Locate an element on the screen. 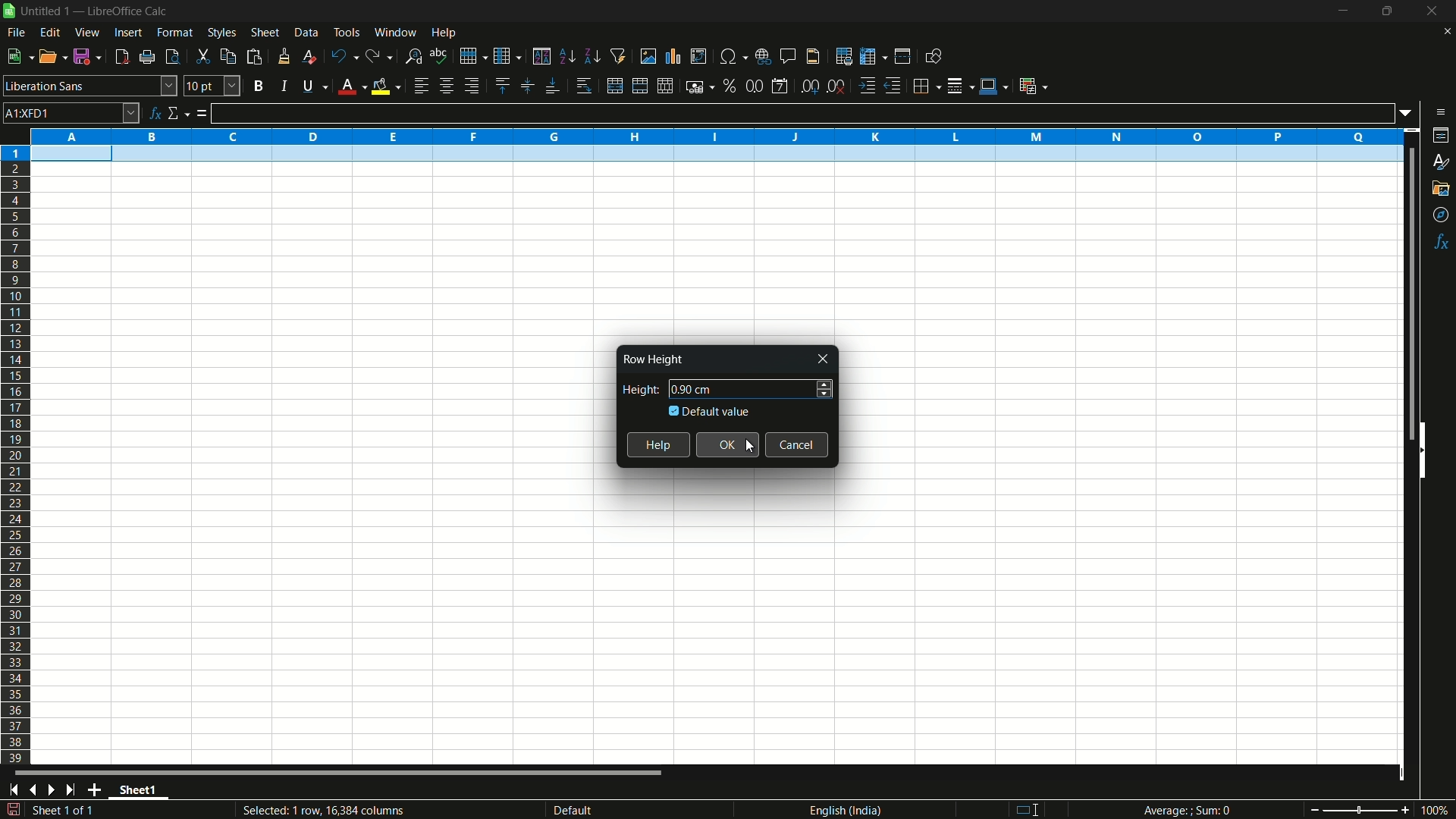  clear direct formatting is located at coordinates (307, 56).